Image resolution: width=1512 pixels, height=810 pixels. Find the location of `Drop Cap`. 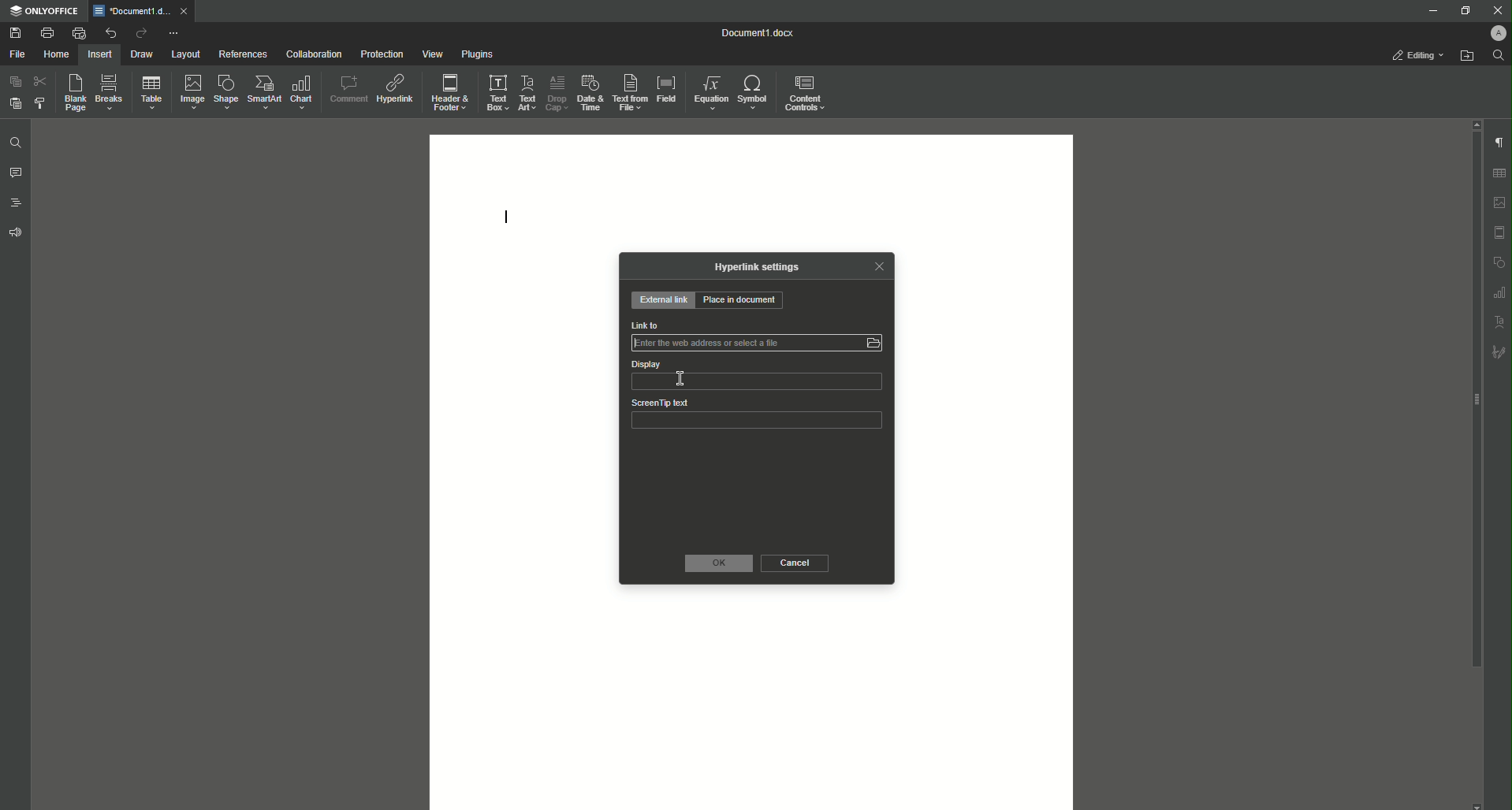

Drop Cap is located at coordinates (557, 92).